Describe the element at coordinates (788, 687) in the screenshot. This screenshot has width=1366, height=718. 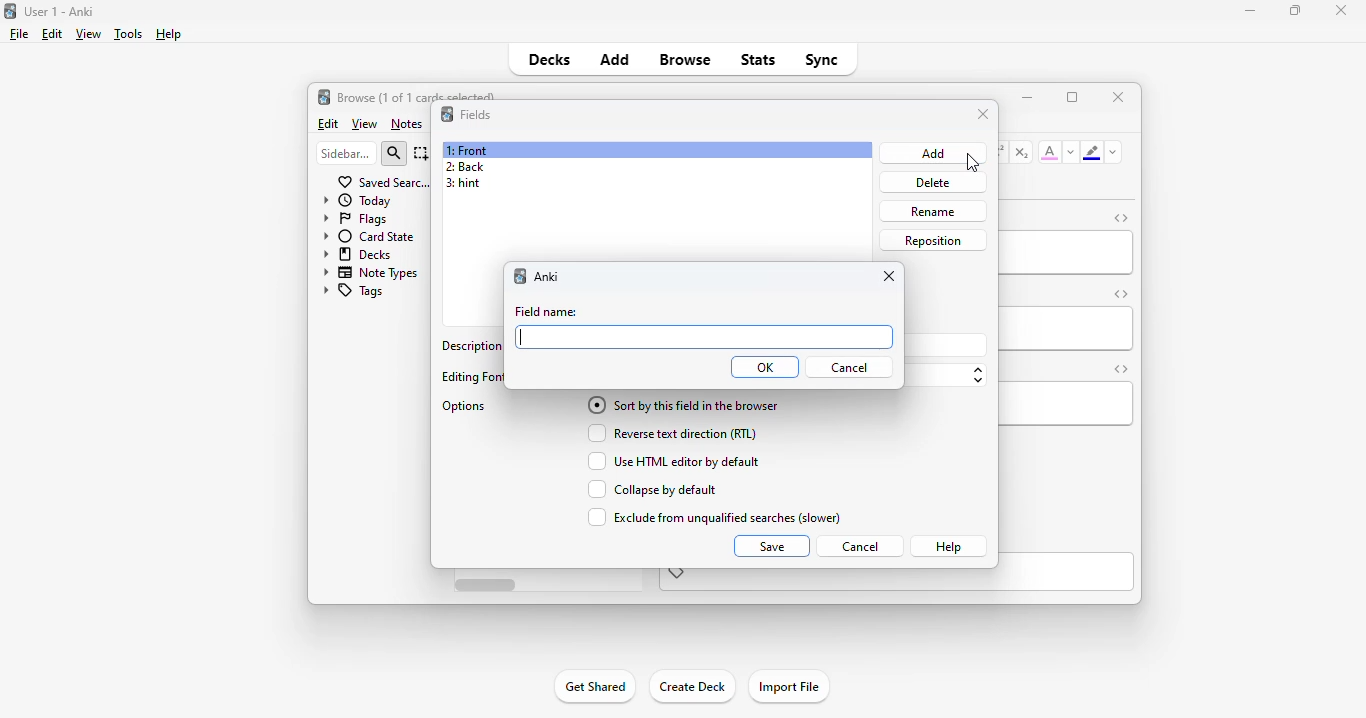
I see `import file` at that location.